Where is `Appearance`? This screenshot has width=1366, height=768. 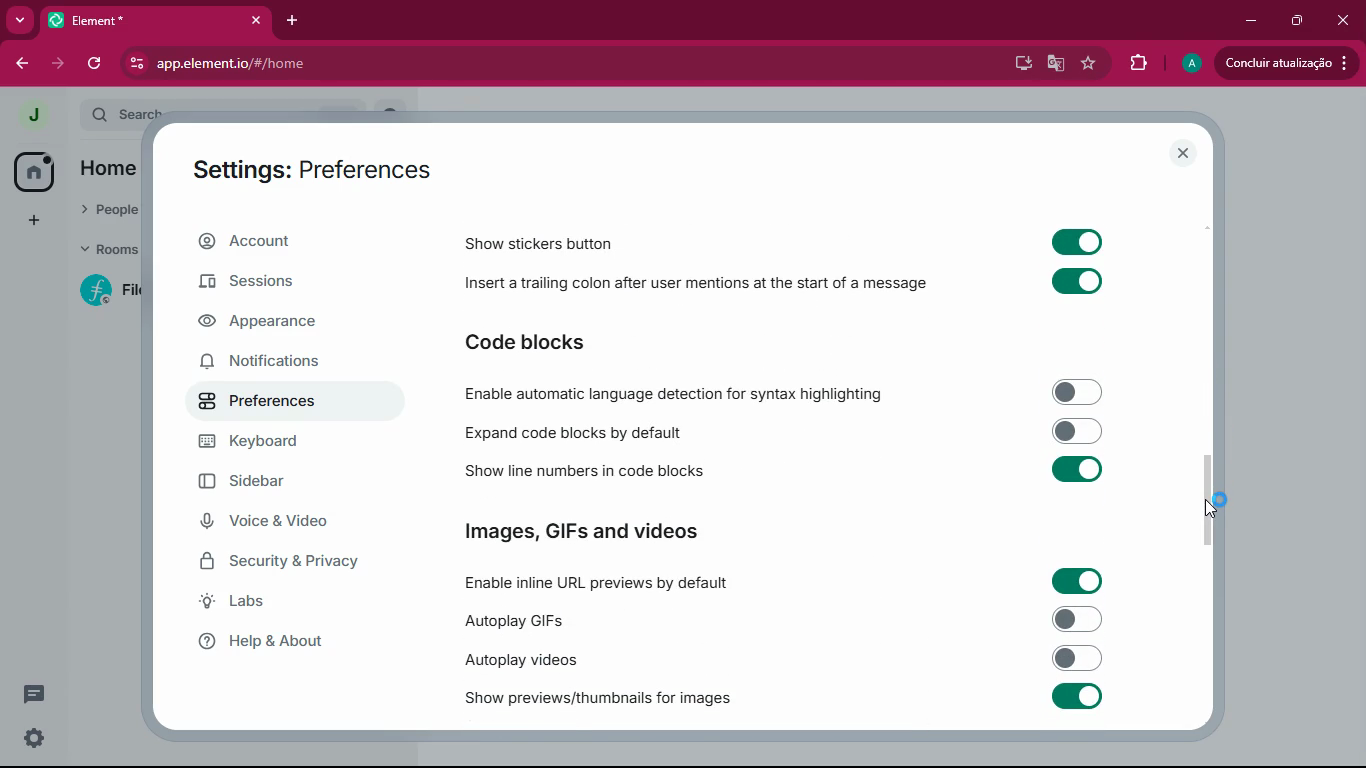 Appearance is located at coordinates (265, 327).